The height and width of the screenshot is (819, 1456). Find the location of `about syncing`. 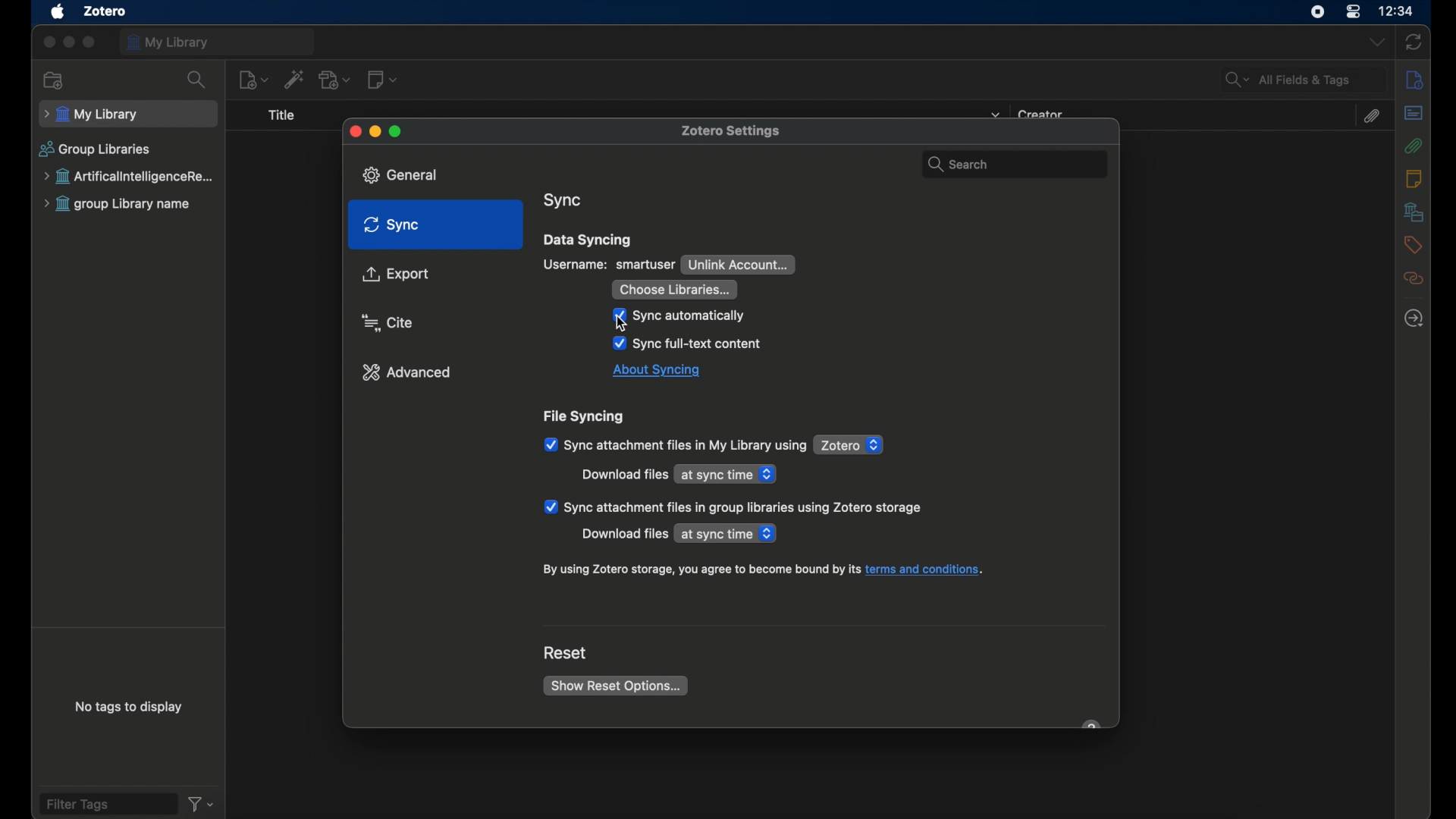

about syncing is located at coordinates (657, 372).